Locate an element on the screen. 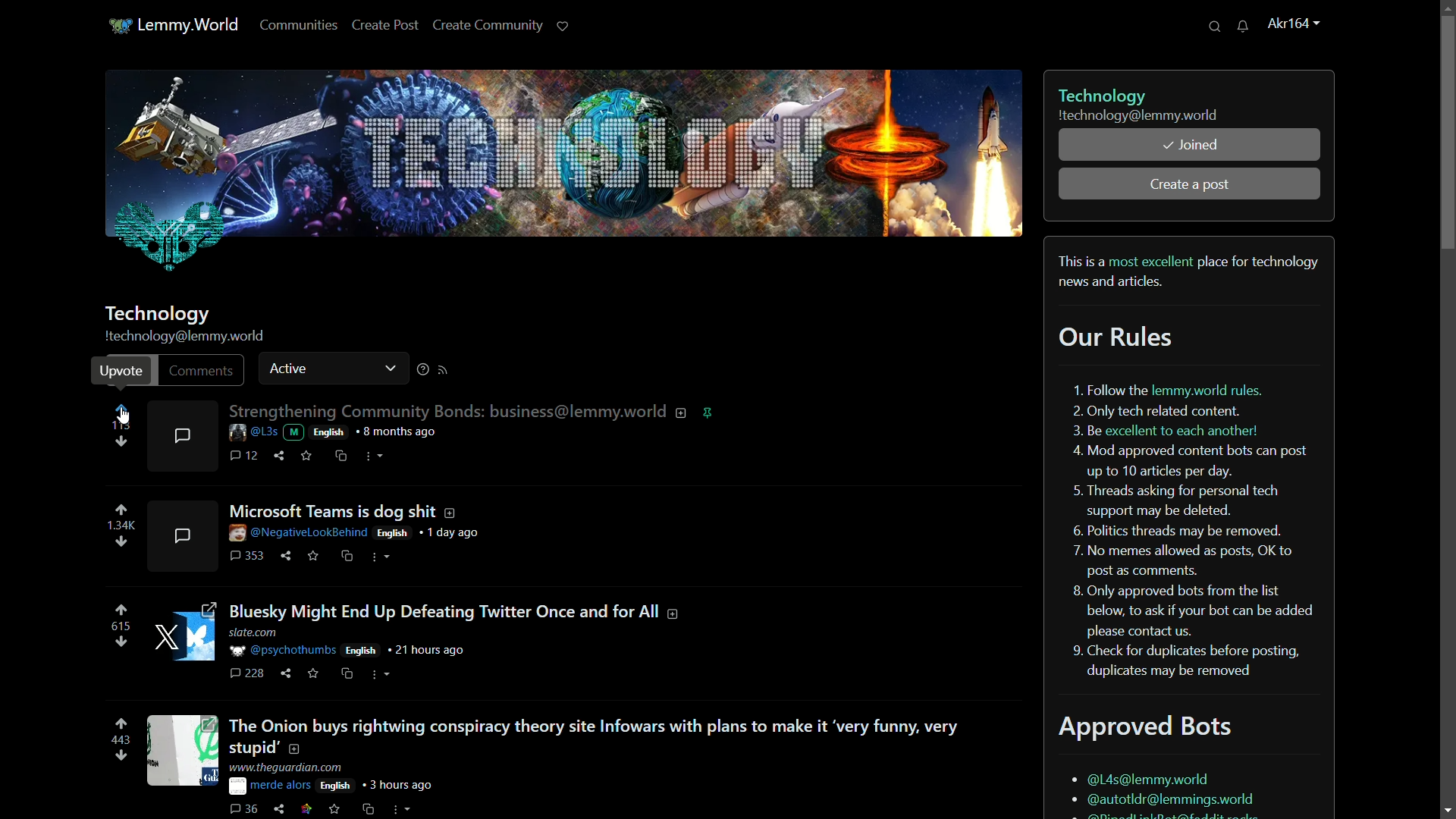 The height and width of the screenshot is (819, 1456). post-1 is located at coordinates (477, 409).